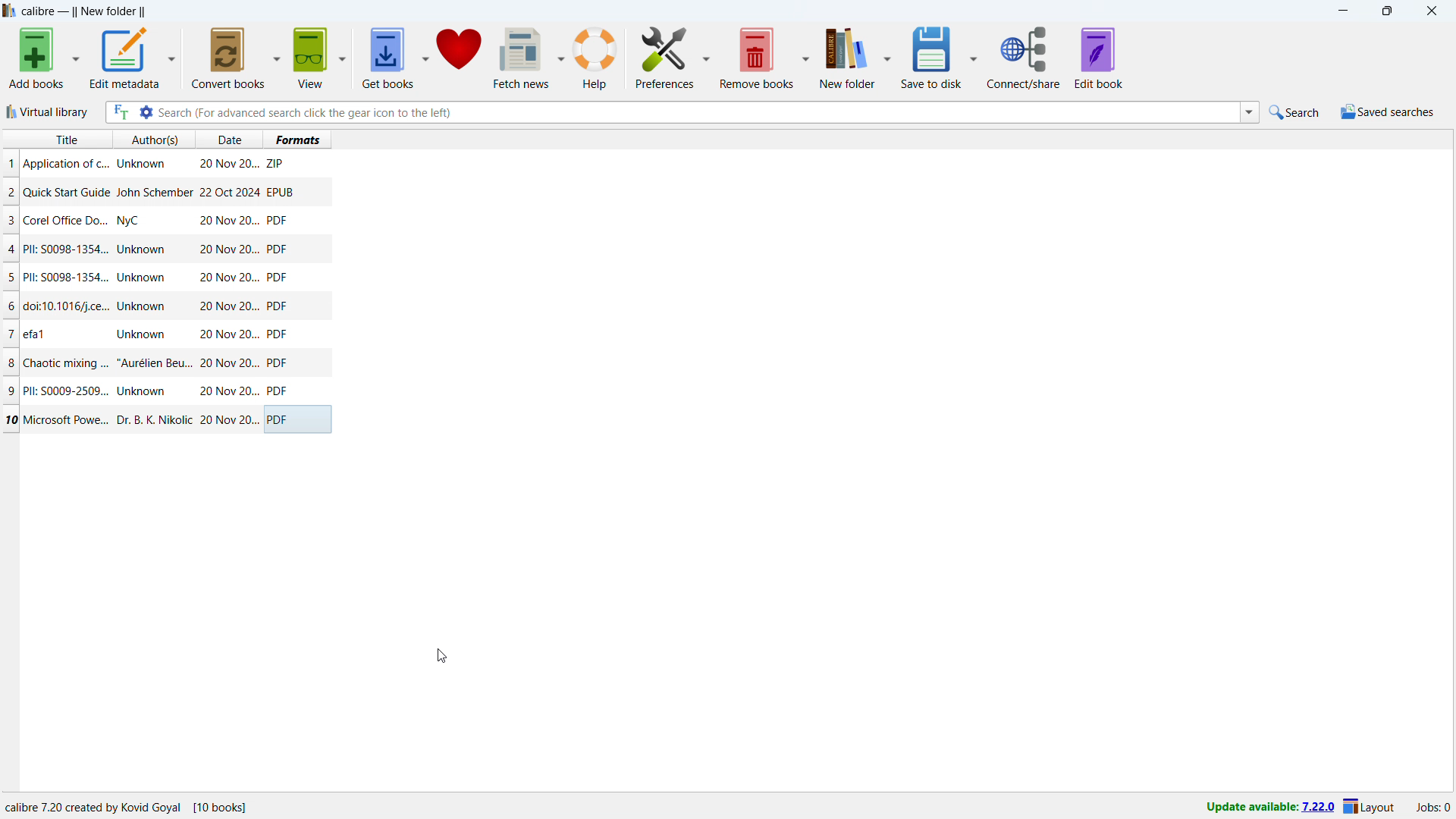 The image size is (1456, 819). Describe the element at coordinates (77, 57) in the screenshot. I see `add books options` at that location.